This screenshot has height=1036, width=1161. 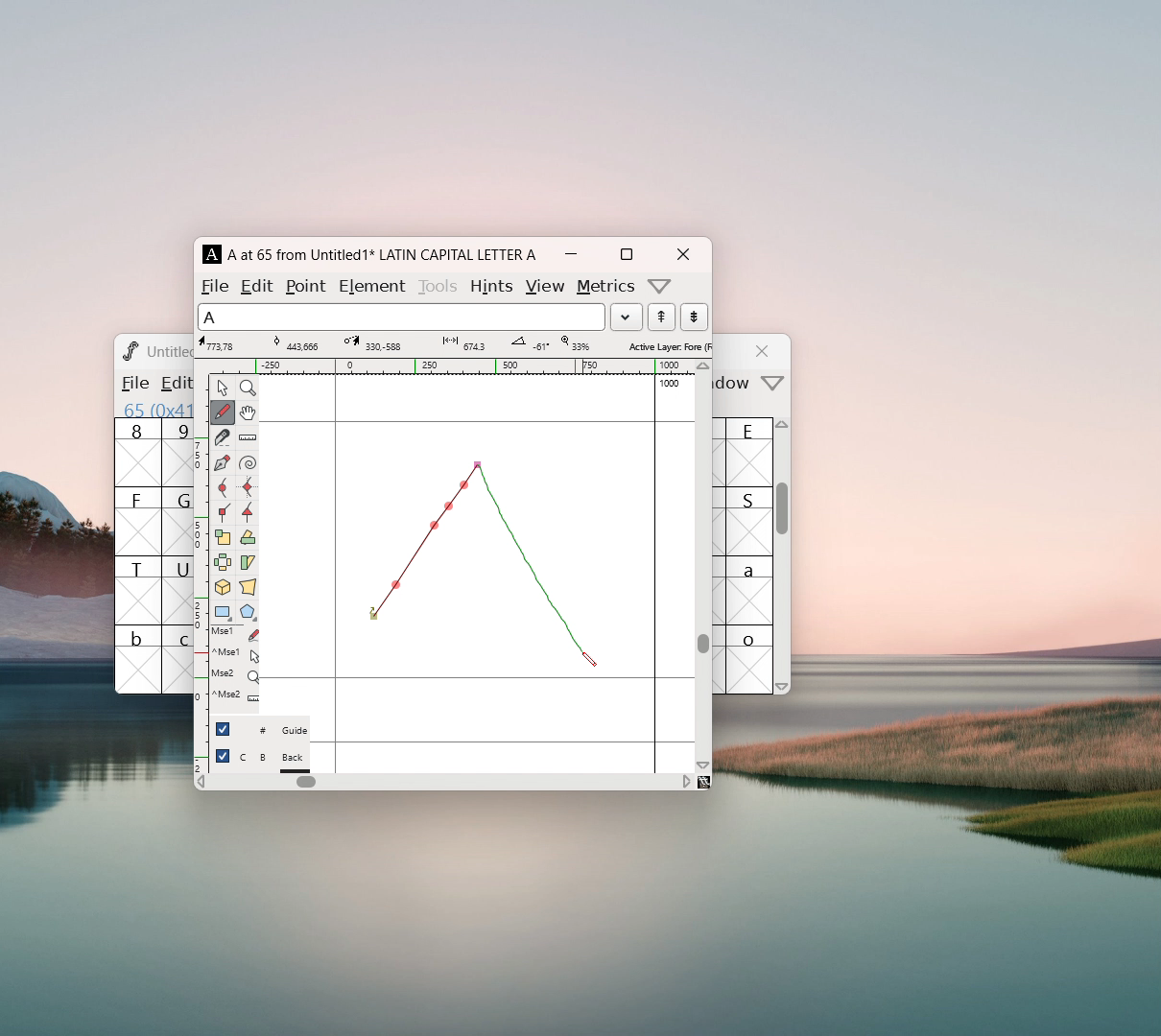 I want to click on checkbox, so click(x=223, y=728).